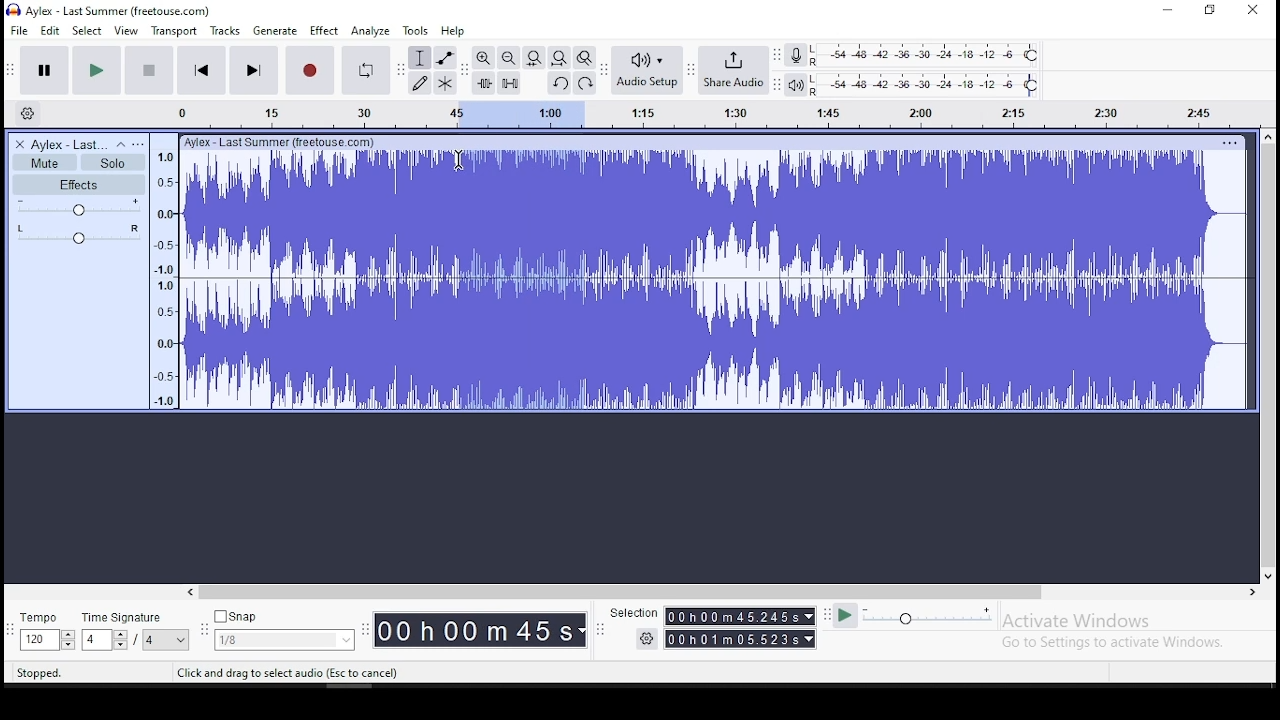 This screenshot has width=1280, height=720. Describe the element at coordinates (445, 58) in the screenshot. I see `envelope tool` at that location.